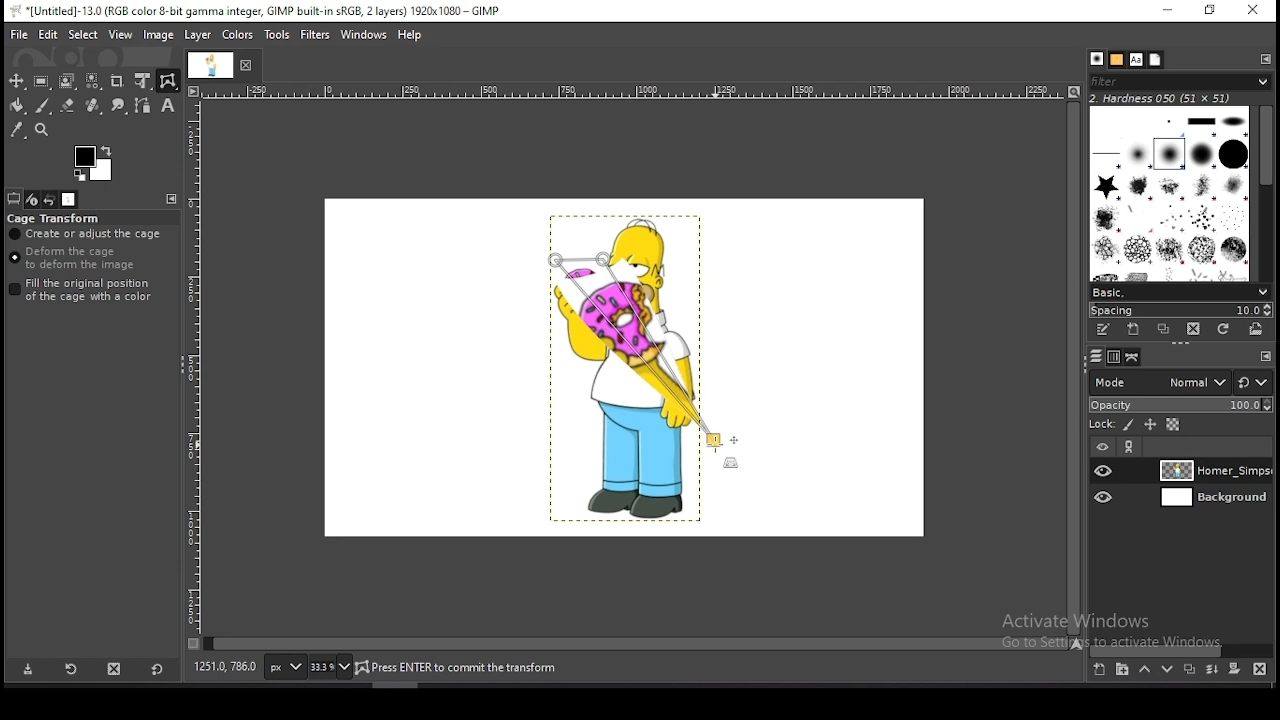 This screenshot has width=1280, height=720. Describe the element at coordinates (1195, 330) in the screenshot. I see `delete brush` at that location.